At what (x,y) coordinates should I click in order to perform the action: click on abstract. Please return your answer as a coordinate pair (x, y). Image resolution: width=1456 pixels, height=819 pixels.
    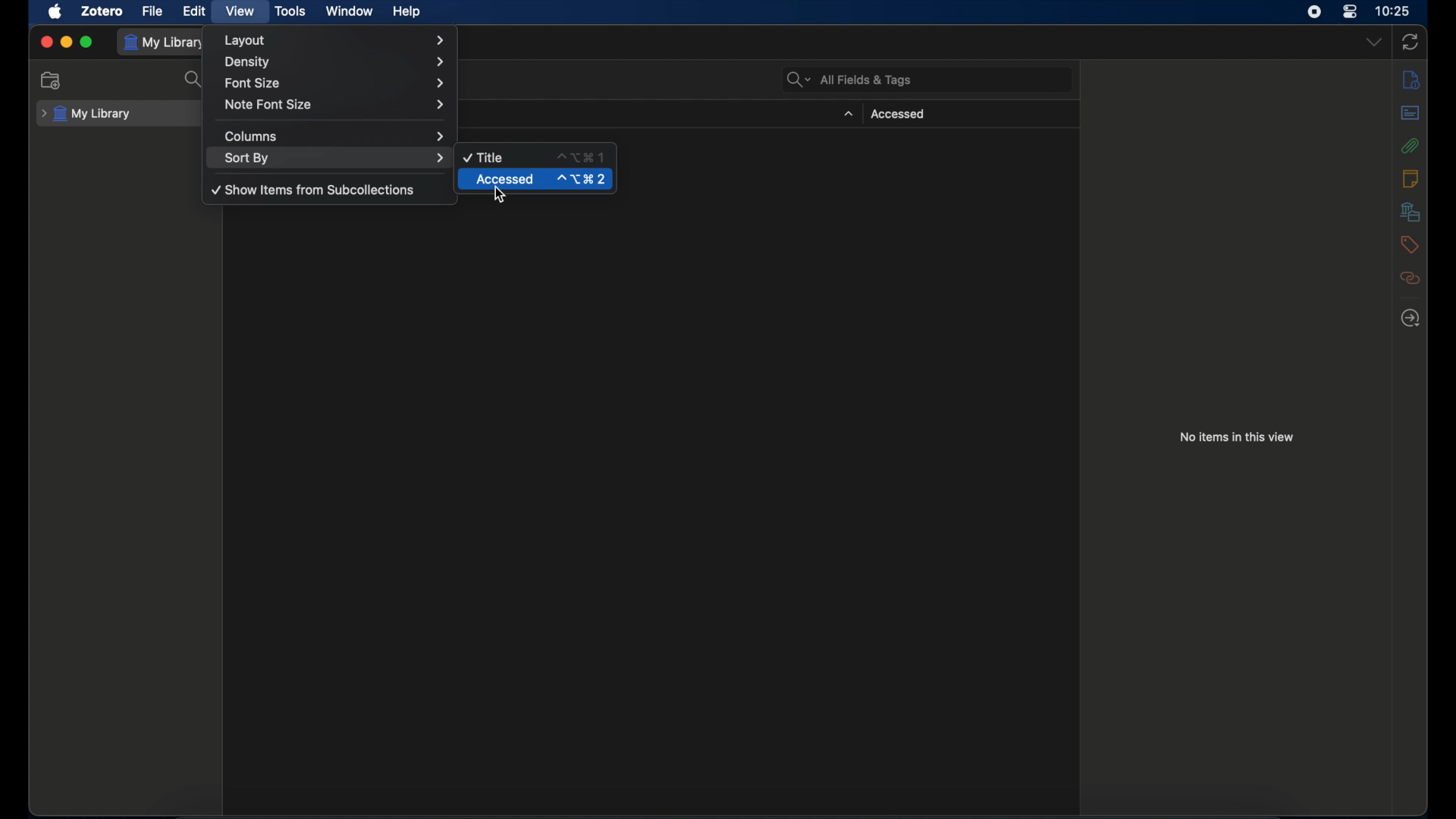
    Looking at the image, I should click on (1411, 113).